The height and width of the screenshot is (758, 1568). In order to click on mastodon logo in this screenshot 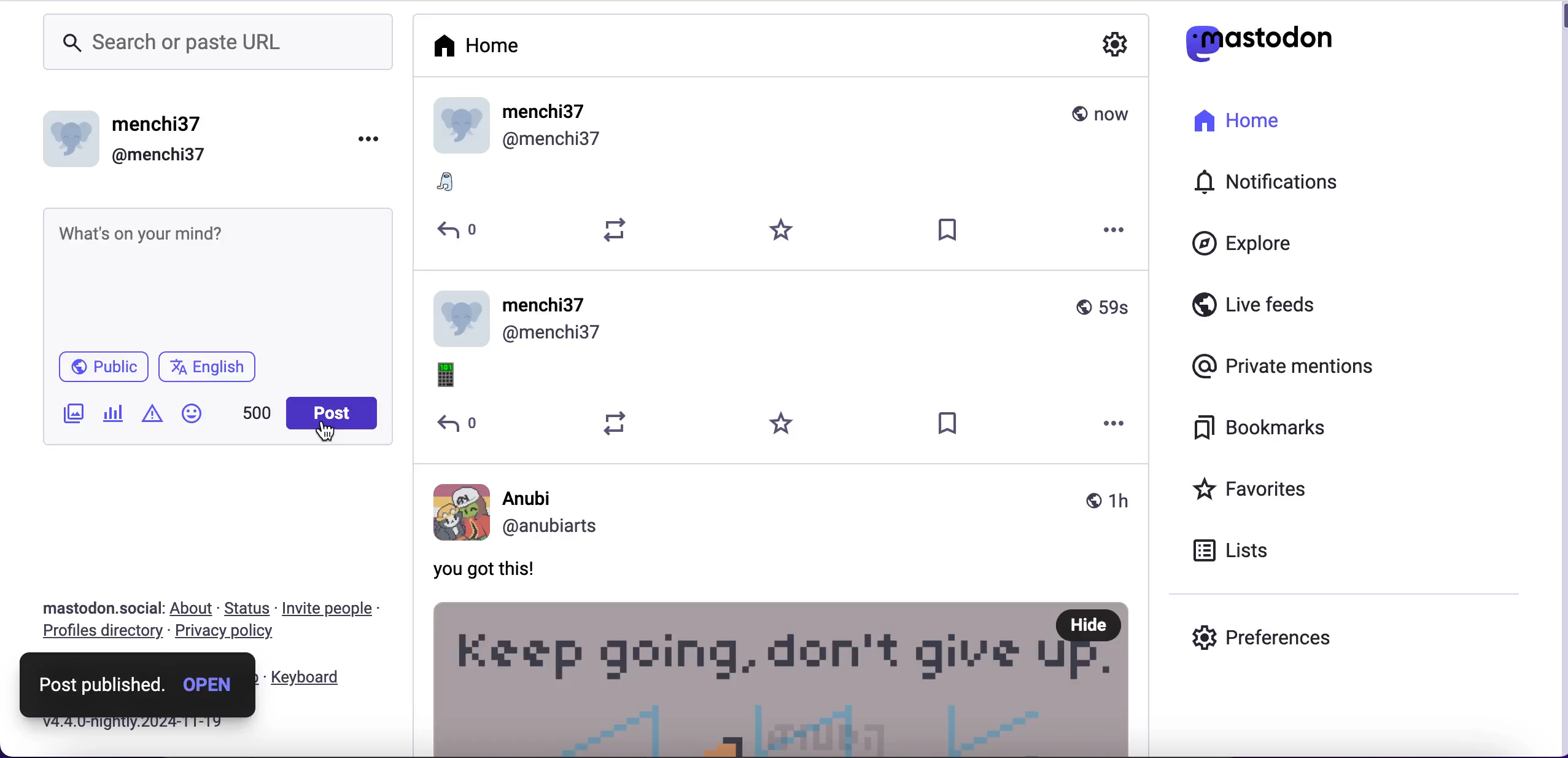, I will do `click(1252, 42)`.